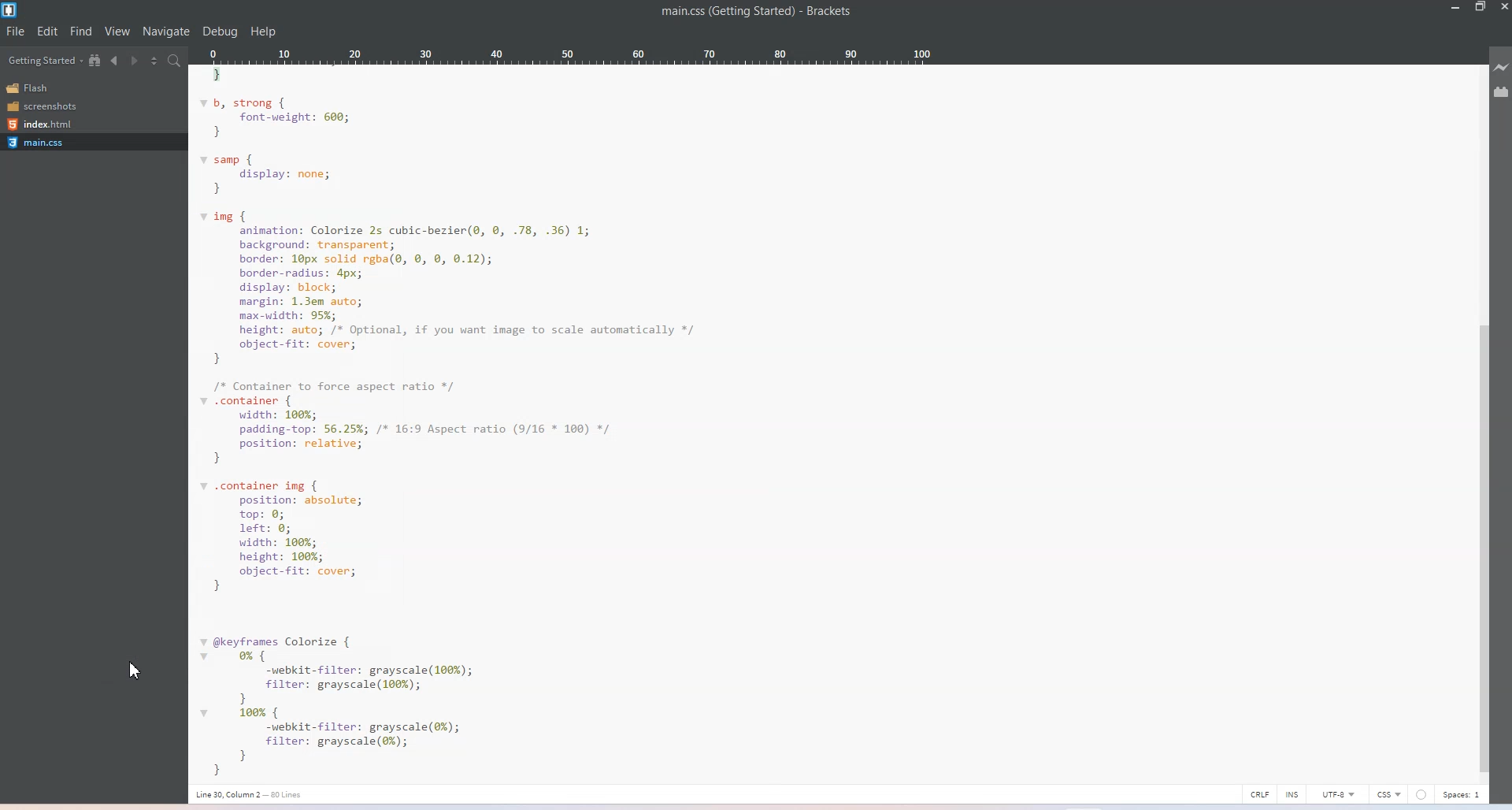 The image size is (1512, 810). I want to click on File, so click(15, 32).